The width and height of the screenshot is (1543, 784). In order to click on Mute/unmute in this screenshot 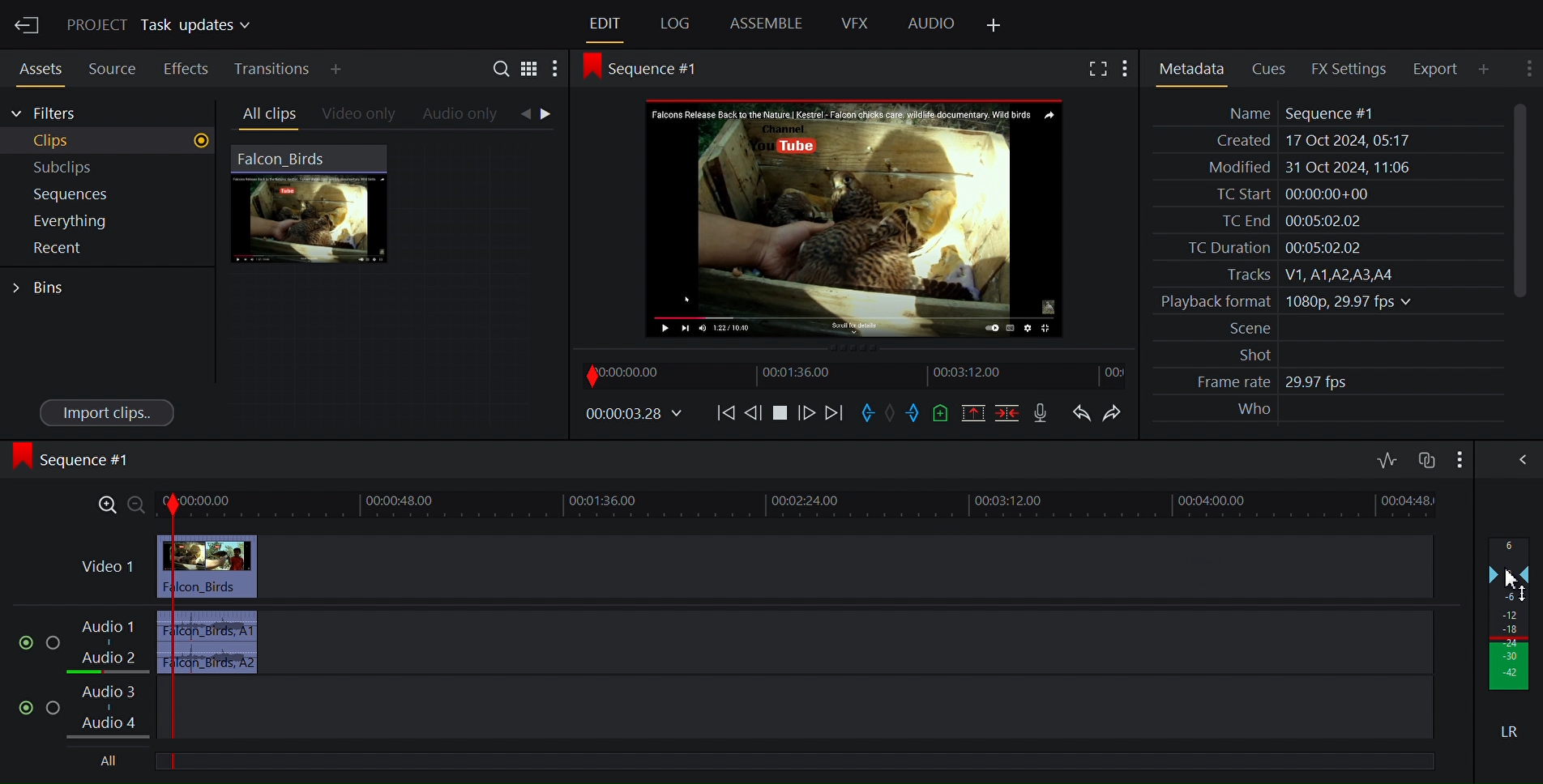, I will do `click(23, 706)`.